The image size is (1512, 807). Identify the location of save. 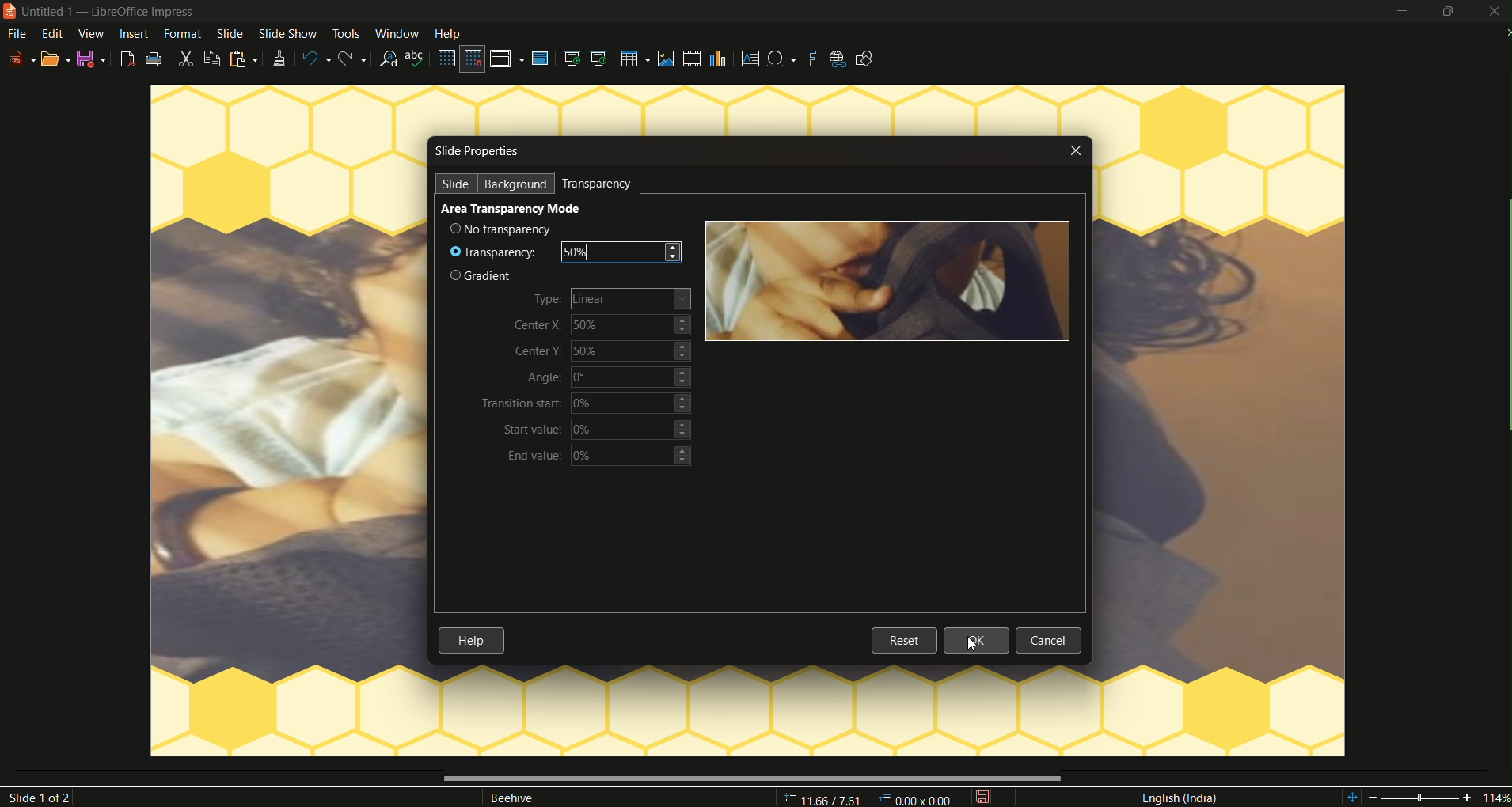
(984, 798).